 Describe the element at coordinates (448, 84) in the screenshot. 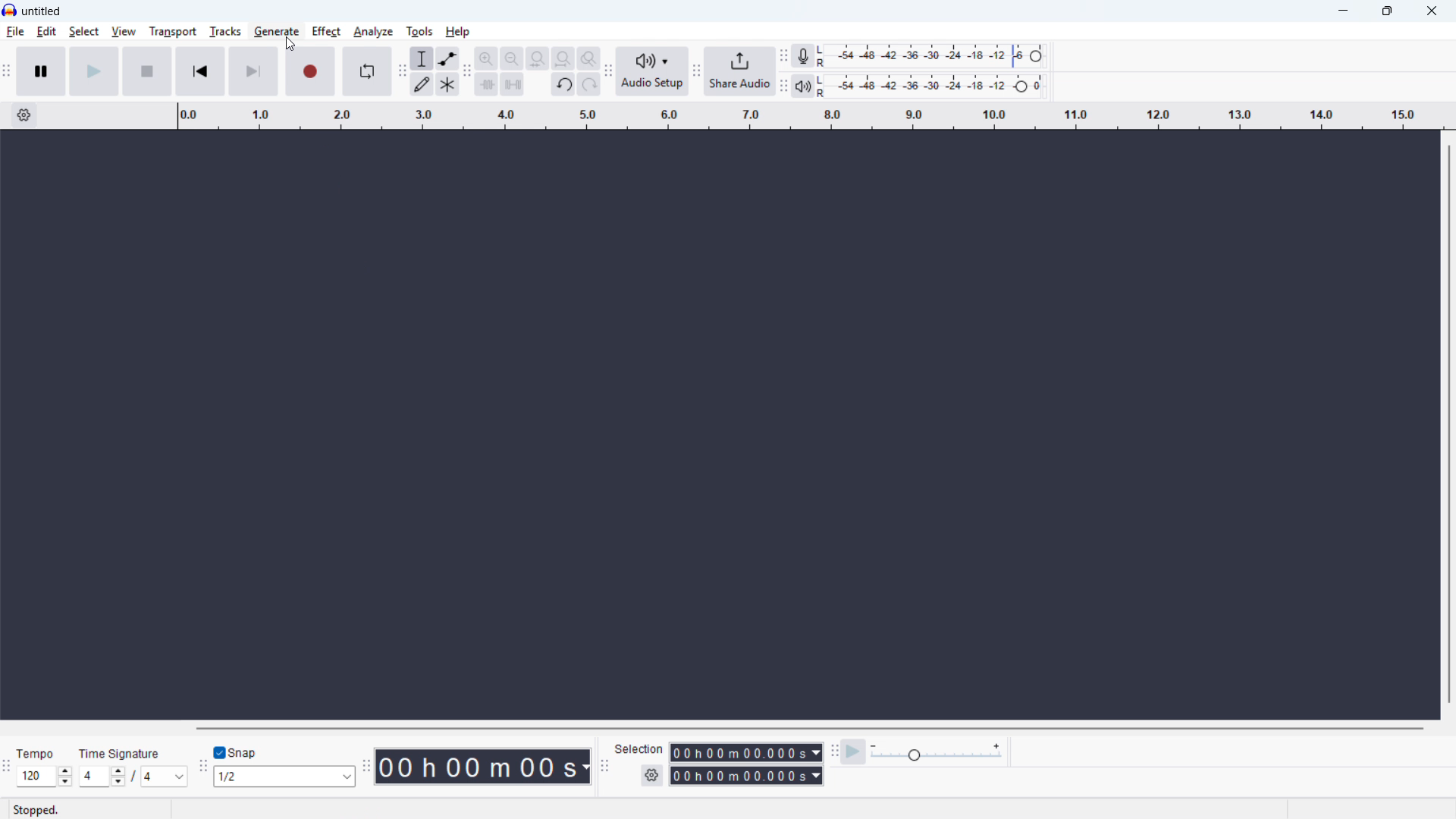

I see `Multi - tool` at that location.